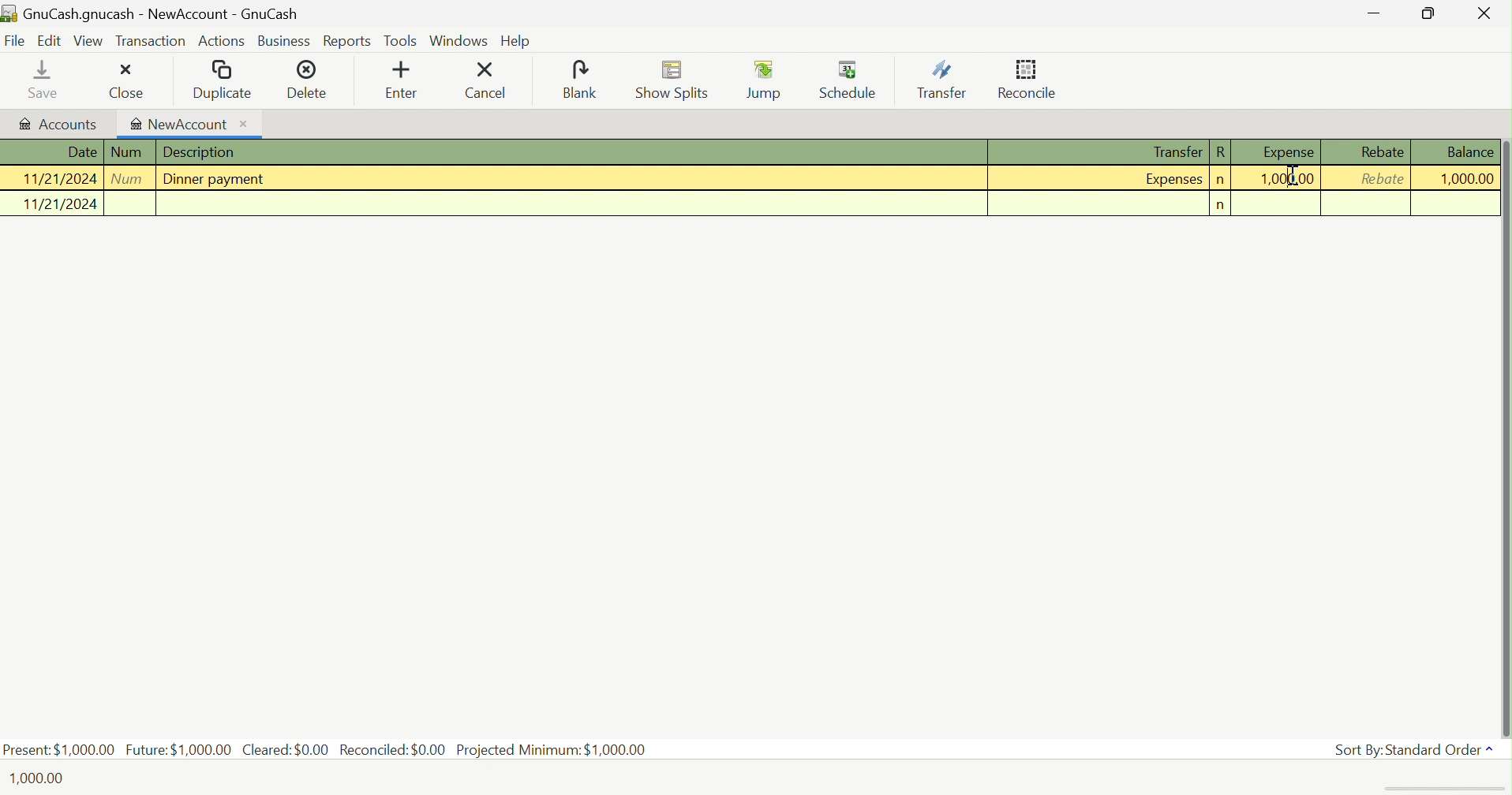 Image resolution: width=1512 pixels, height=795 pixels. I want to click on 11/21/2024, so click(50, 204).